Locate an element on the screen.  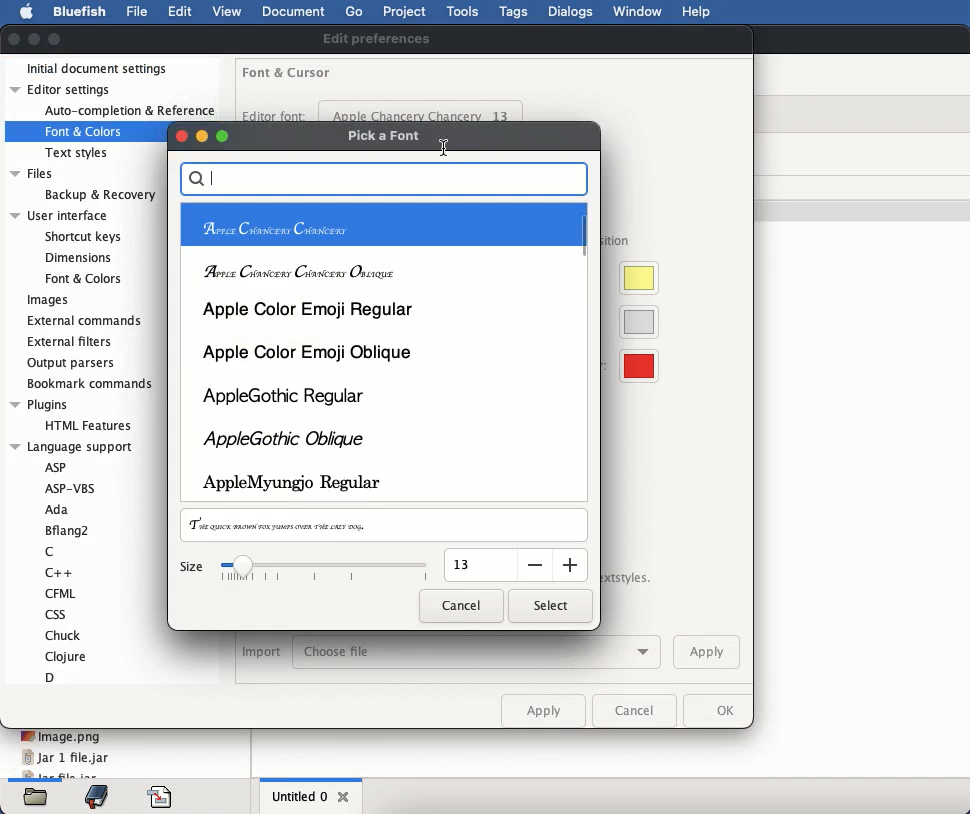
close is located at coordinates (15, 40).